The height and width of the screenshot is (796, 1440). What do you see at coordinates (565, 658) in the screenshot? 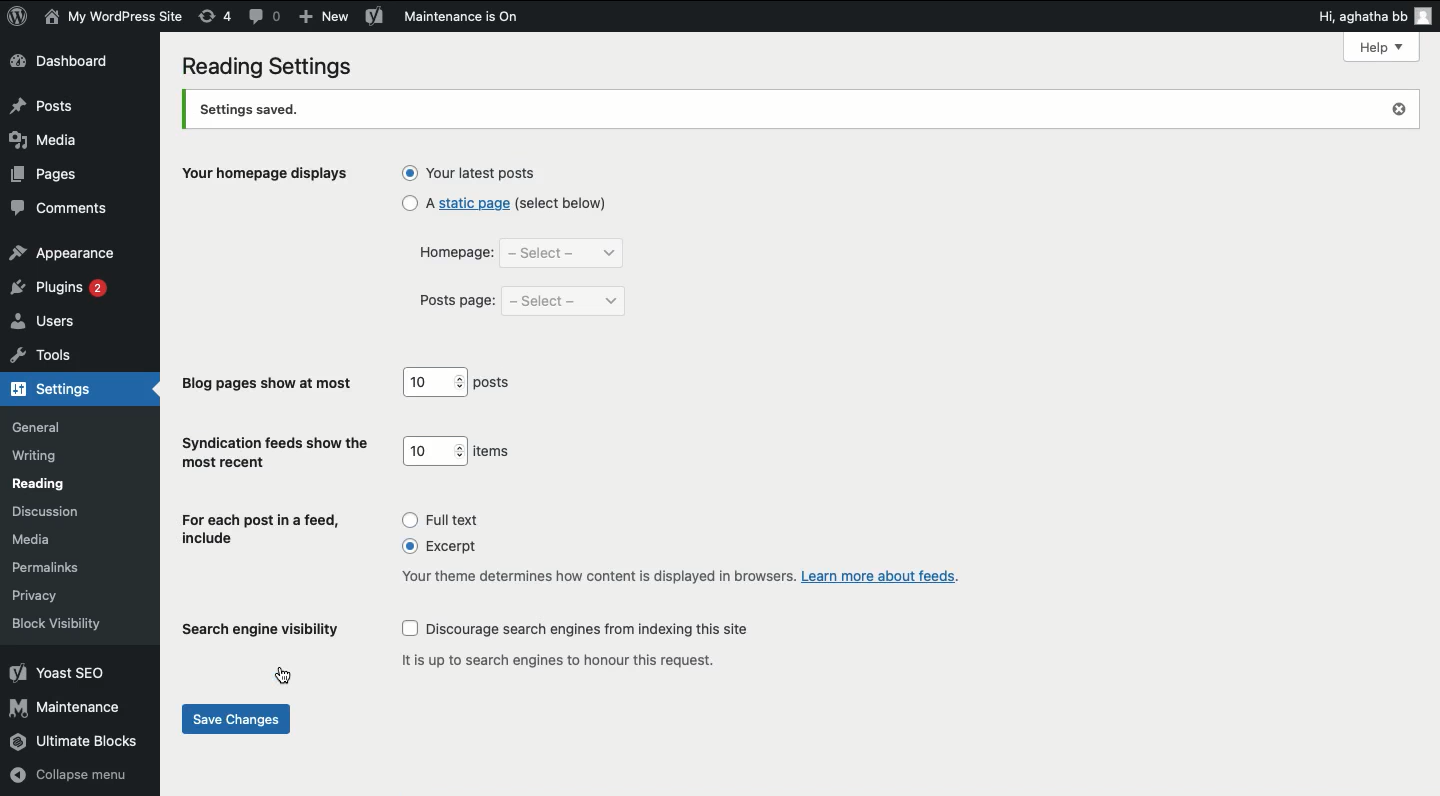
I see `it is up to search engines to honour this request` at bounding box center [565, 658].